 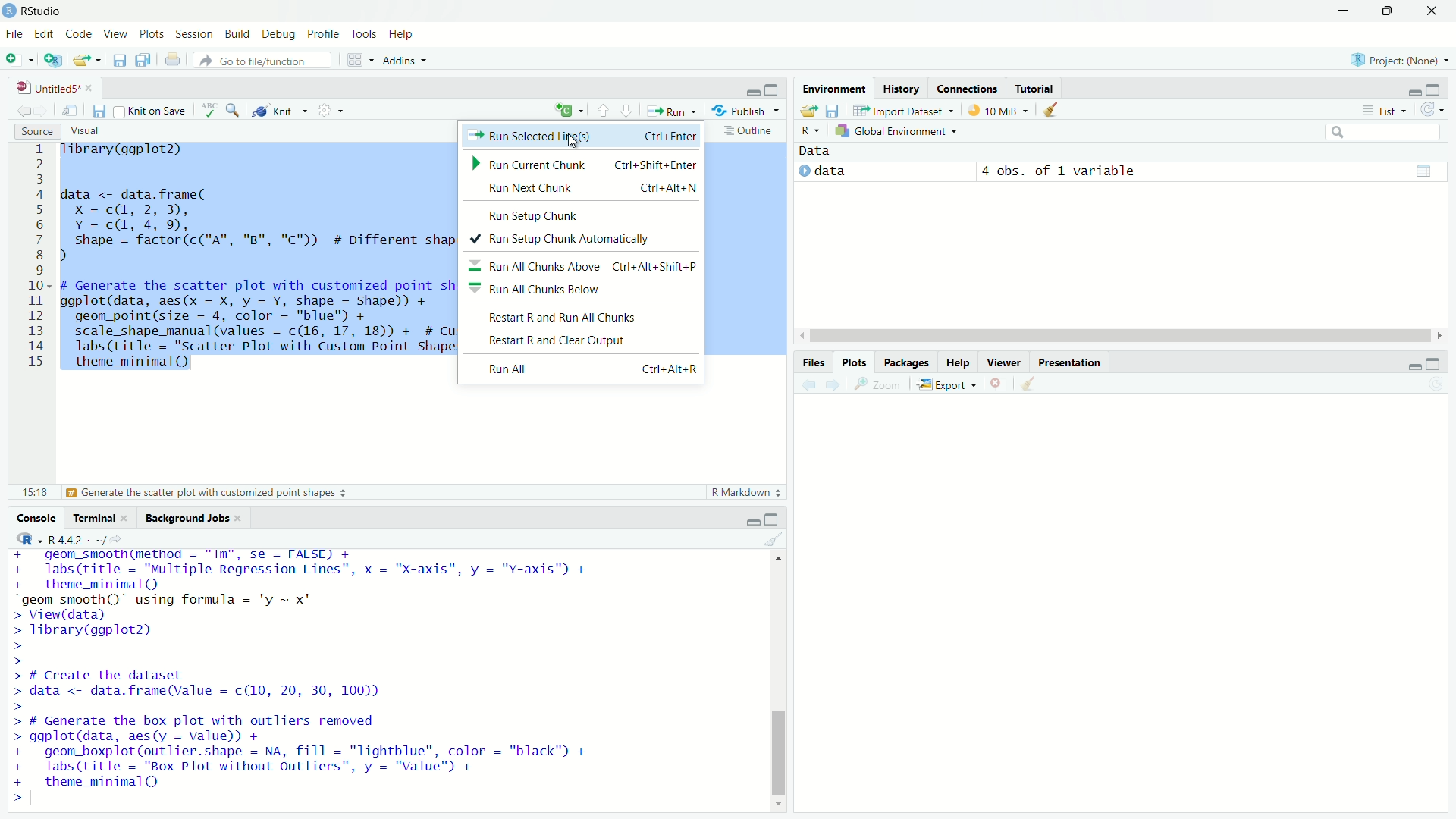 What do you see at coordinates (1433, 364) in the screenshot?
I see `maximize` at bounding box center [1433, 364].